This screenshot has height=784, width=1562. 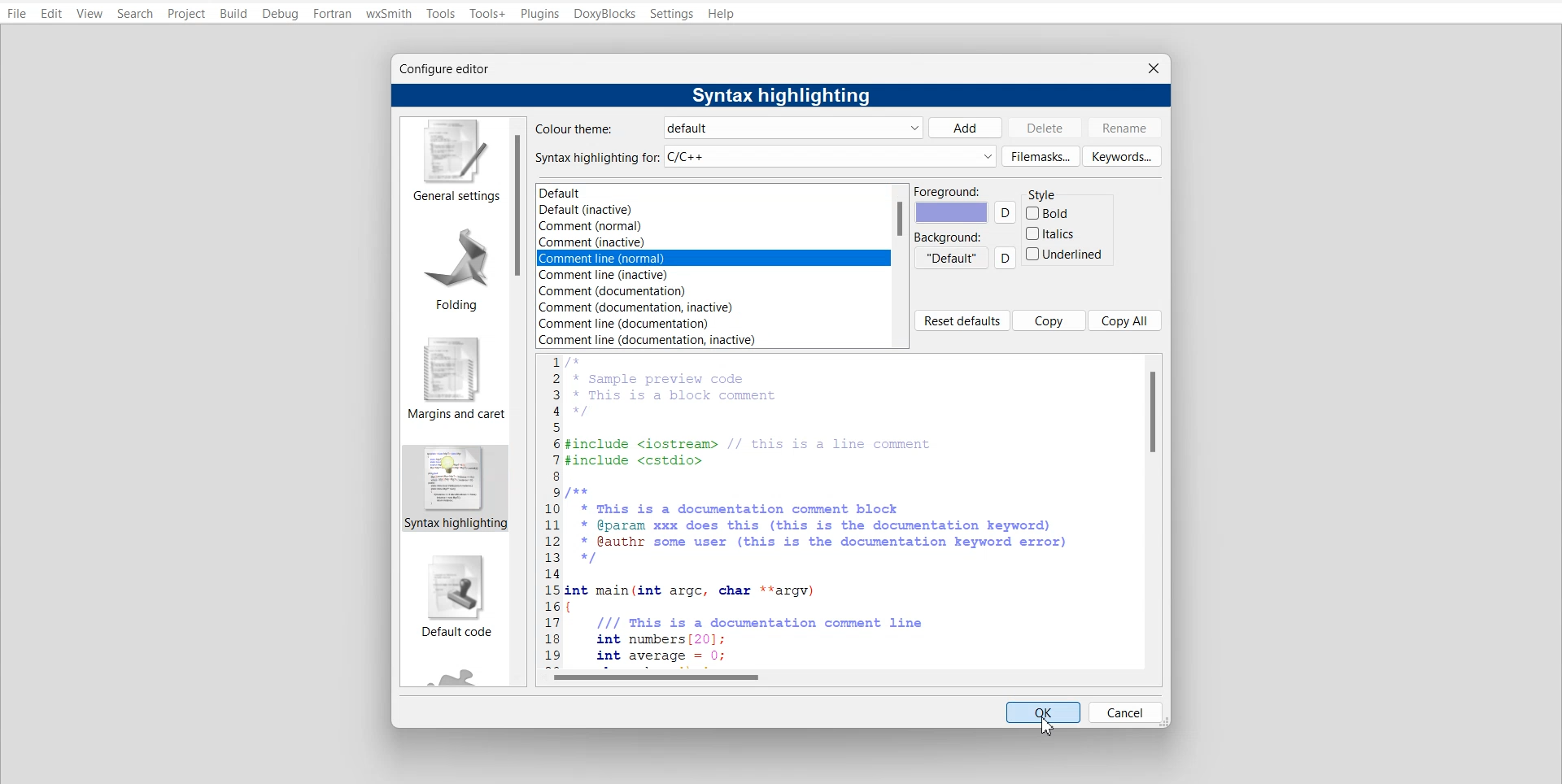 What do you see at coordinates (1126, 712) in the screenshot?
I see `Cancel` at bounding box center [1126, 712].